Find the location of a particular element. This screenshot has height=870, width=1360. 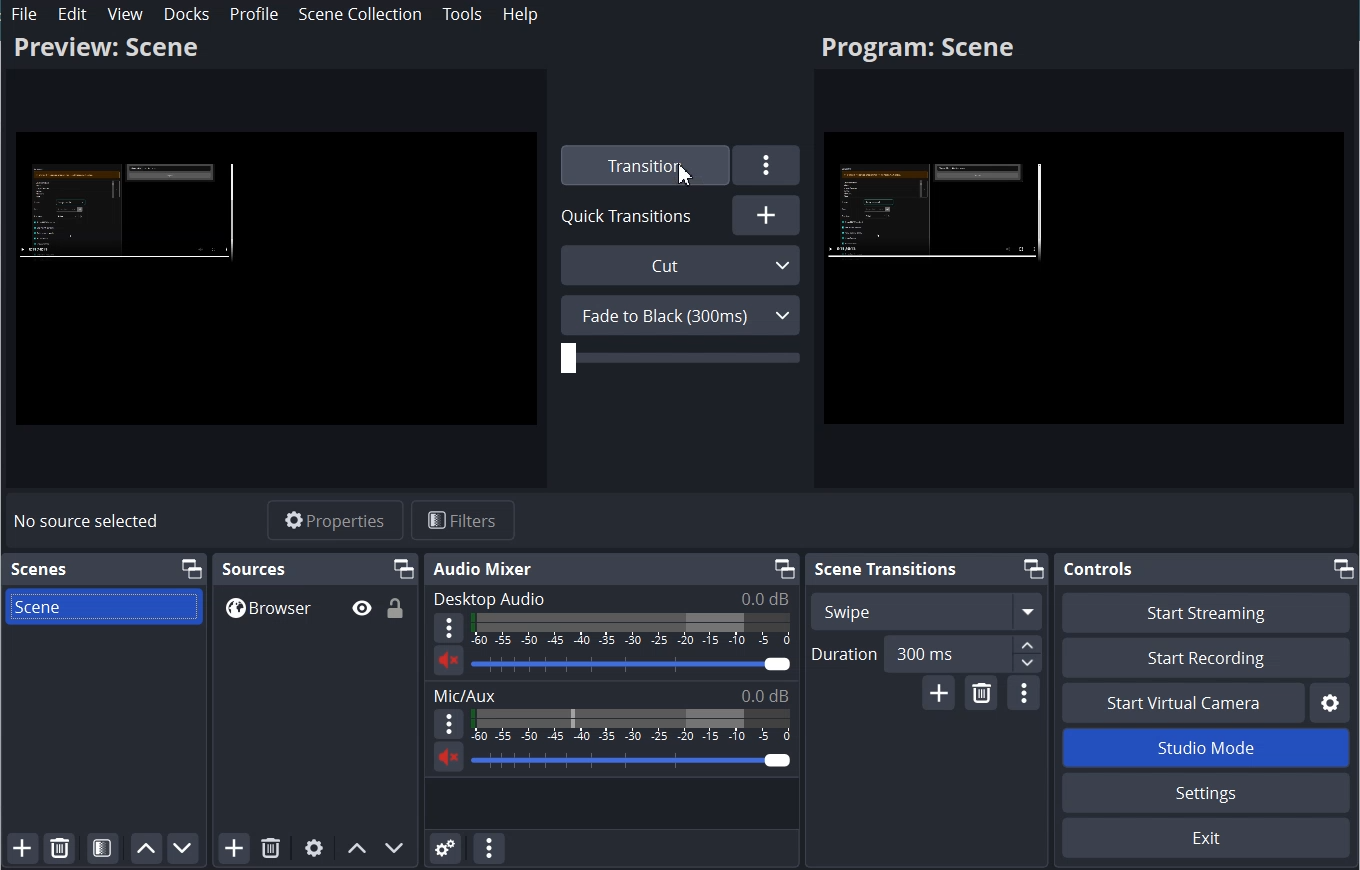

Text is located at coordinates (255, 568).